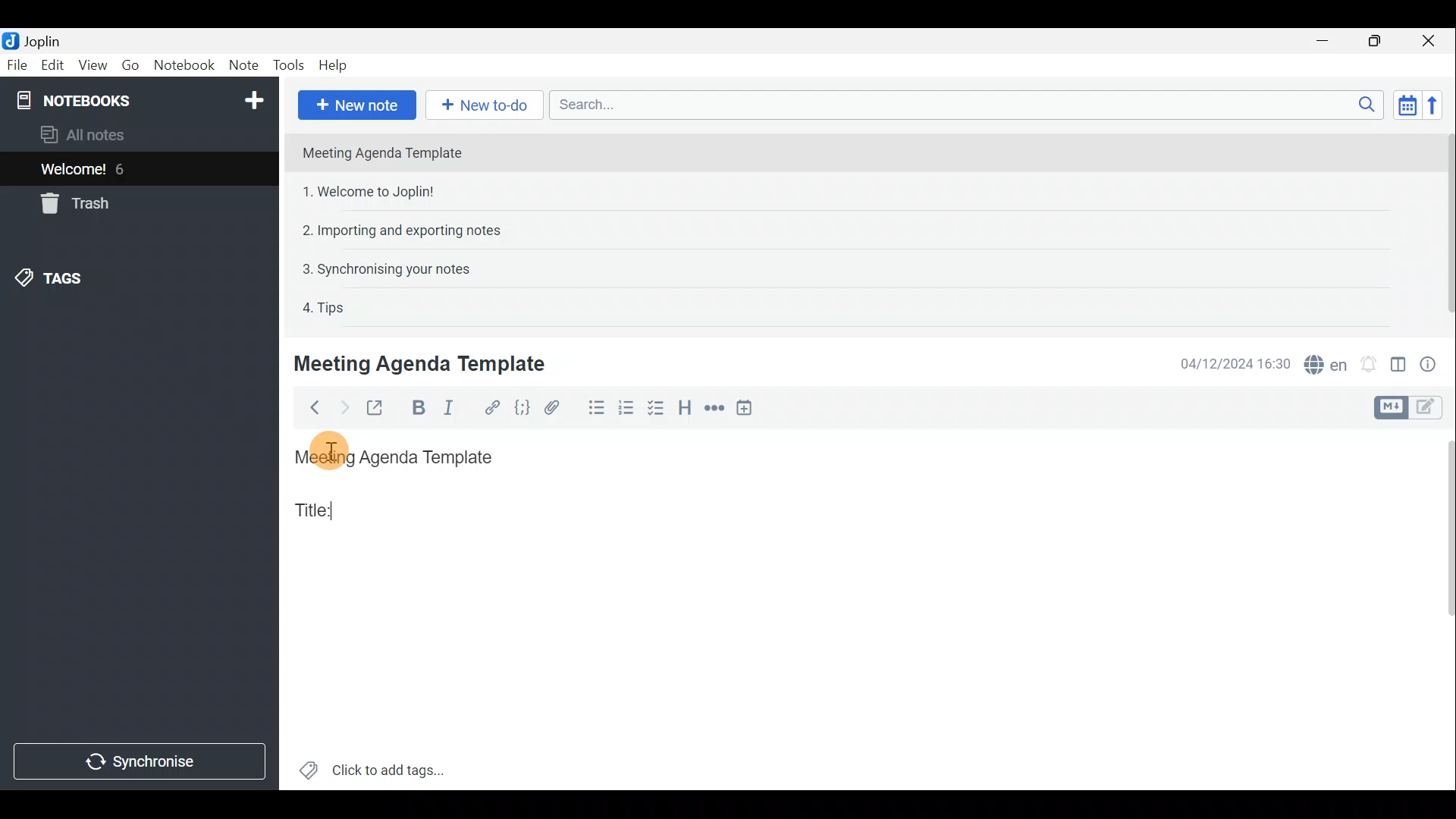 This screenshot has width=1456, height=819. Describe the element at coordinates (653, 409) in the screenshot. I see `Checkbox` at that location.